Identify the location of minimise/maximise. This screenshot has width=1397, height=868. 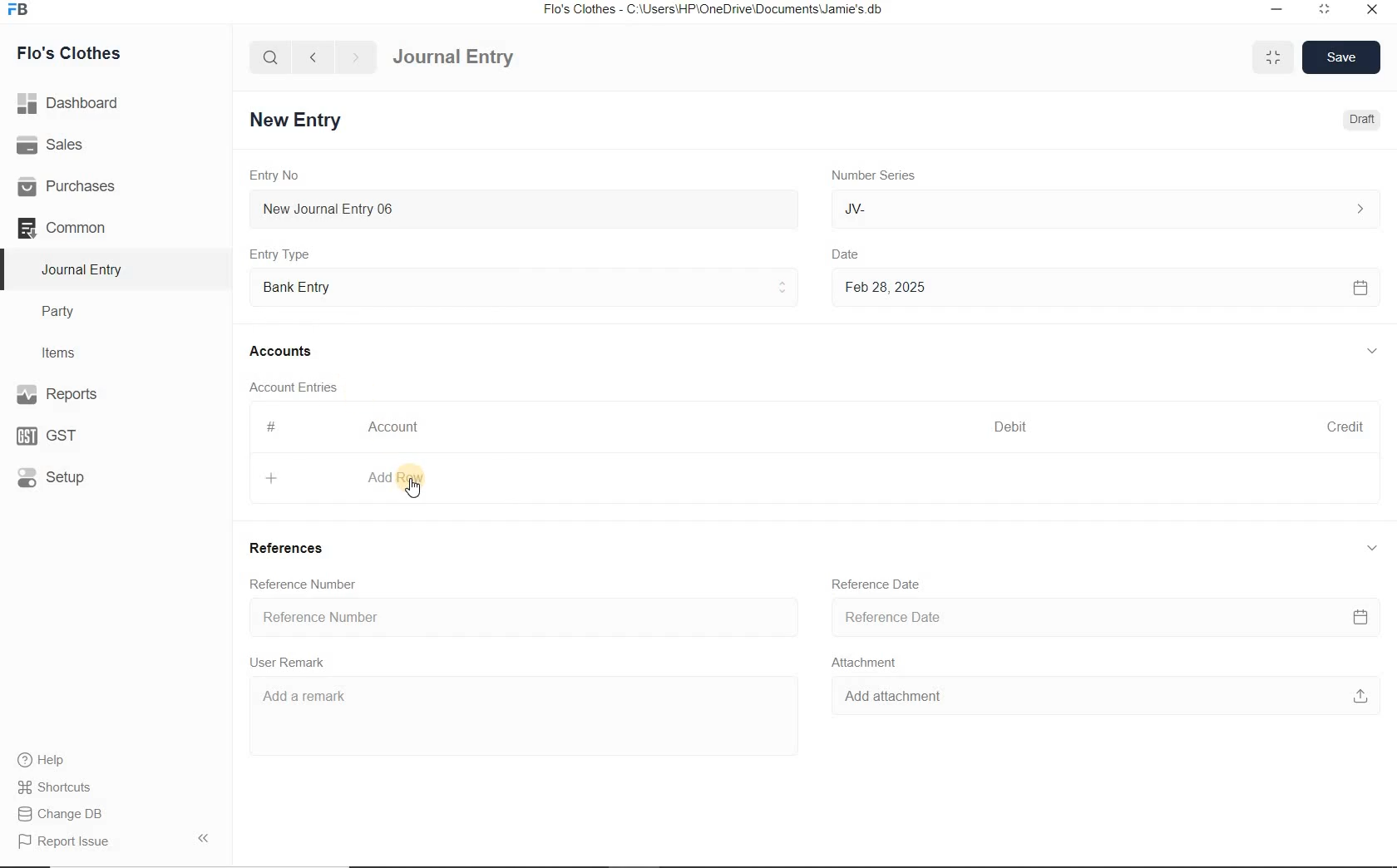
(1274, 58).